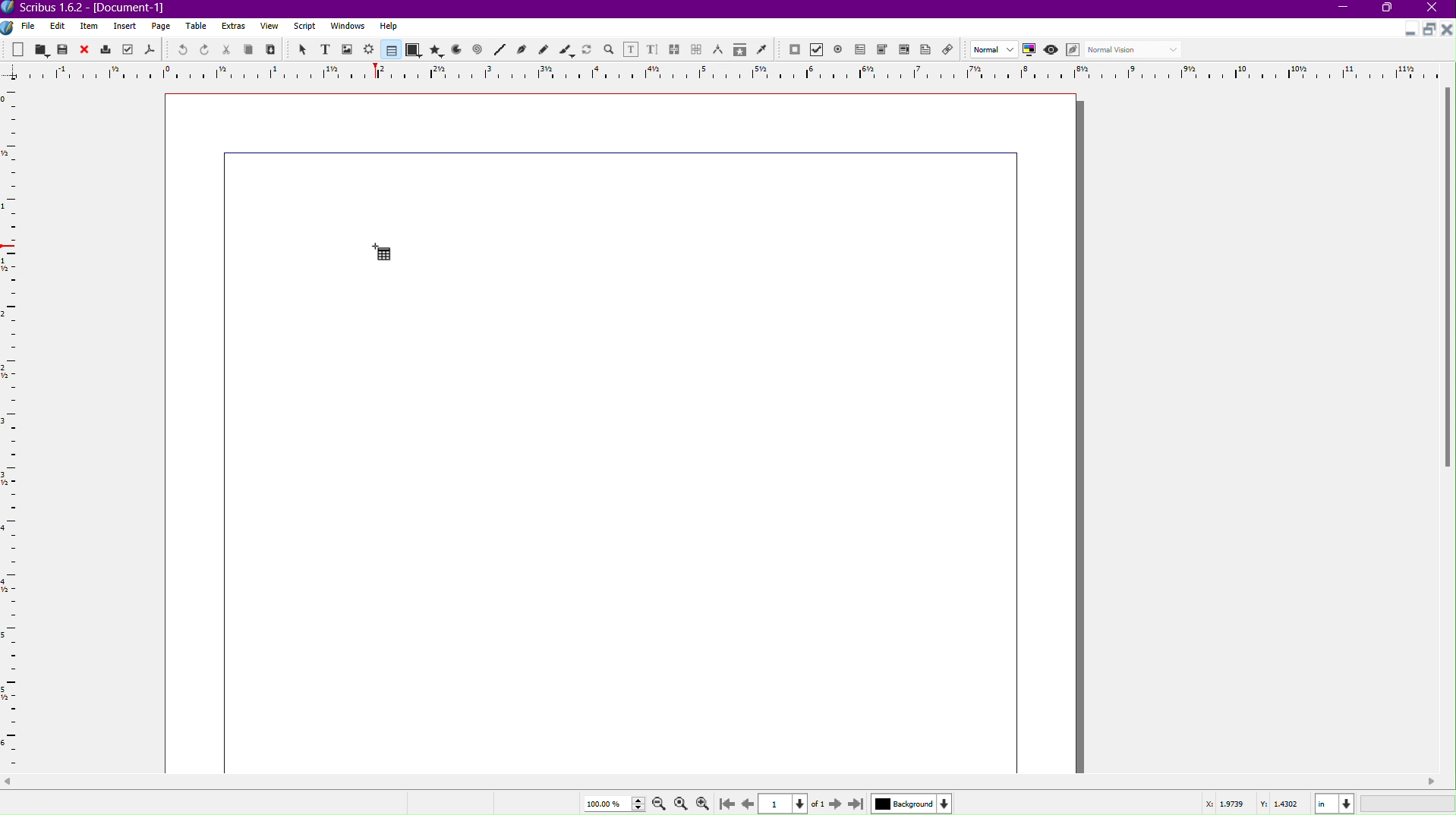 The width and height of the screenshot is (1456, 815). I want to click on Scrollbar, so click(728, 782).